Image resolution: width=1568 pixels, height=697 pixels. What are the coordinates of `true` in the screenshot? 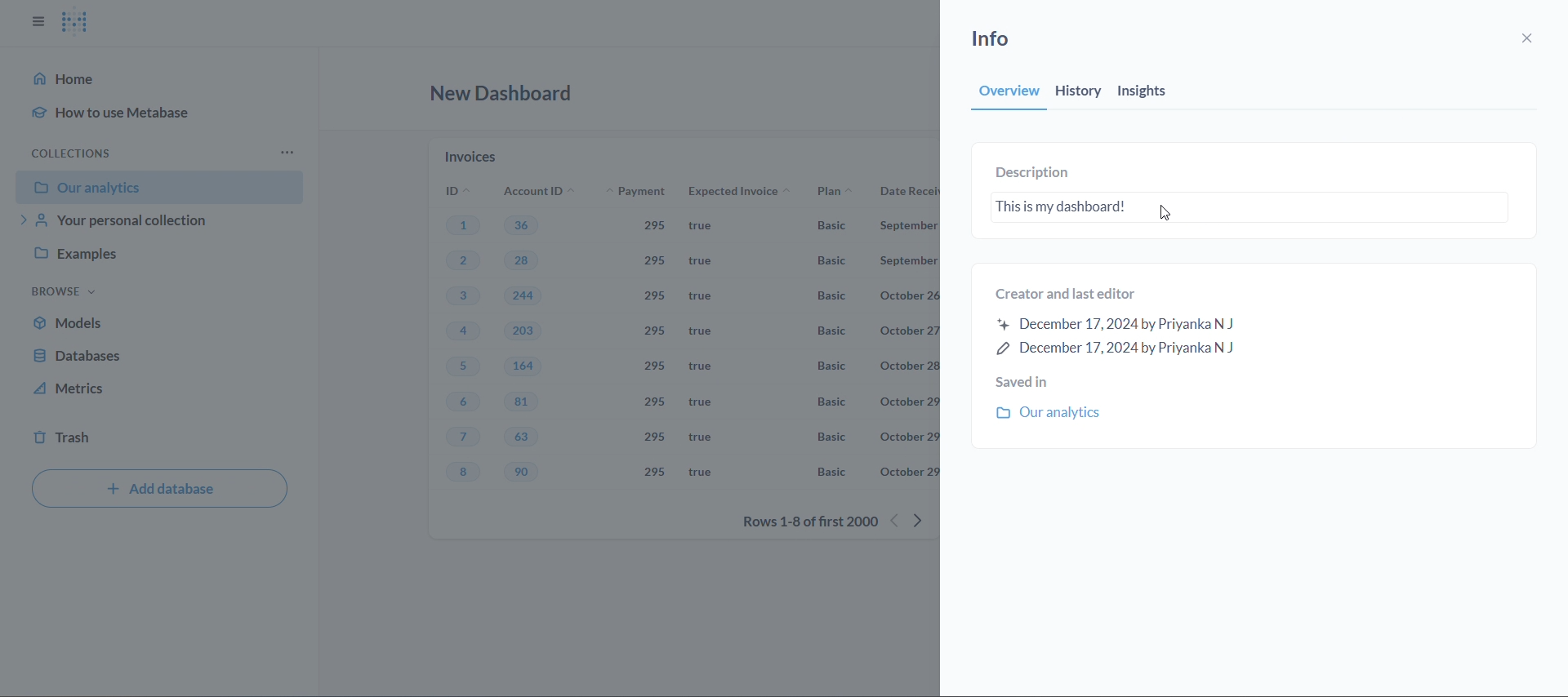 It's located at (710, 261).